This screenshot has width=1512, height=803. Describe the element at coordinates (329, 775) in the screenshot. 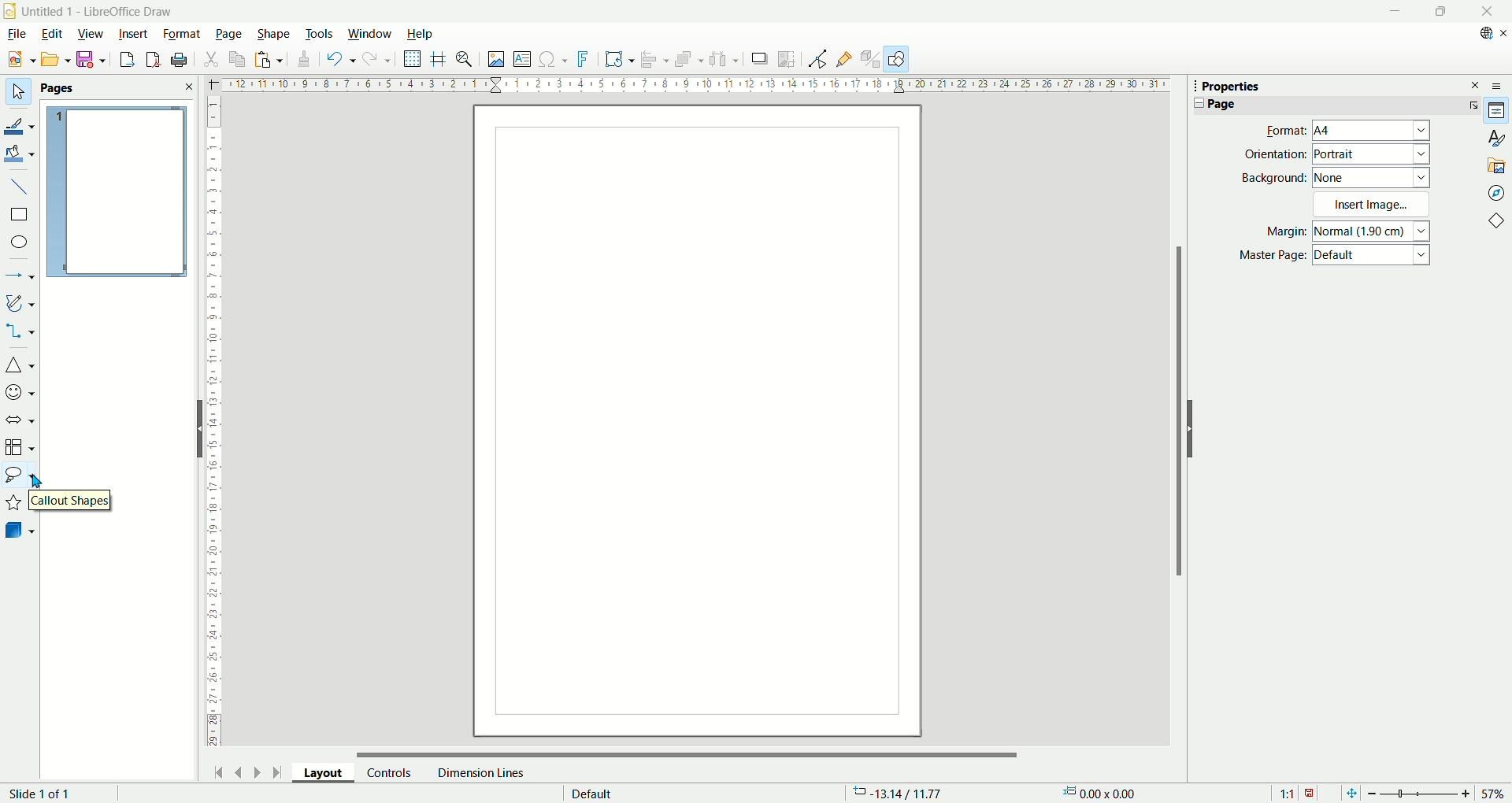

I see `layout` at that location.